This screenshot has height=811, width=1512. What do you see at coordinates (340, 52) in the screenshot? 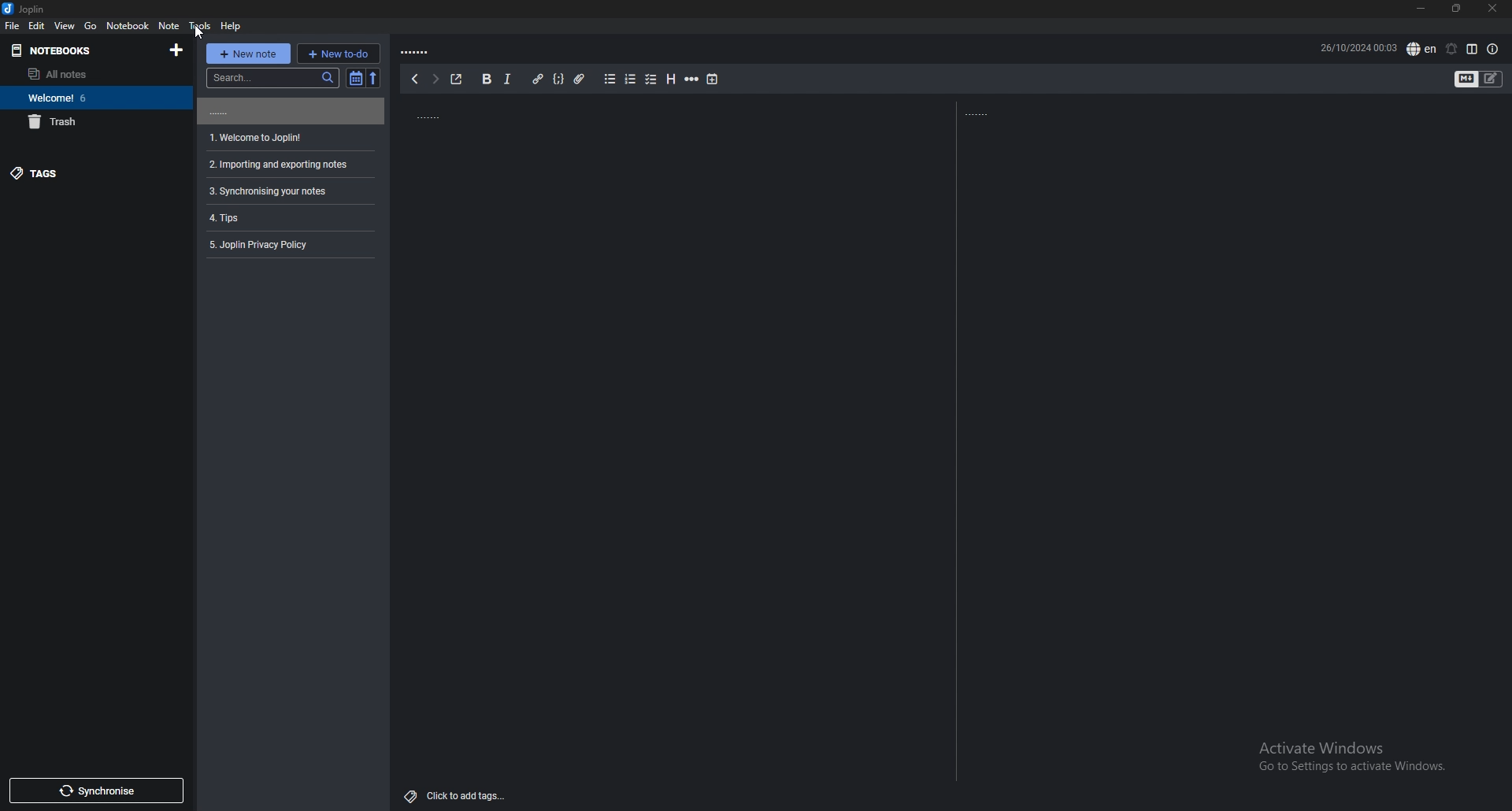
I see `new todo` at bounding box center [340, 52].